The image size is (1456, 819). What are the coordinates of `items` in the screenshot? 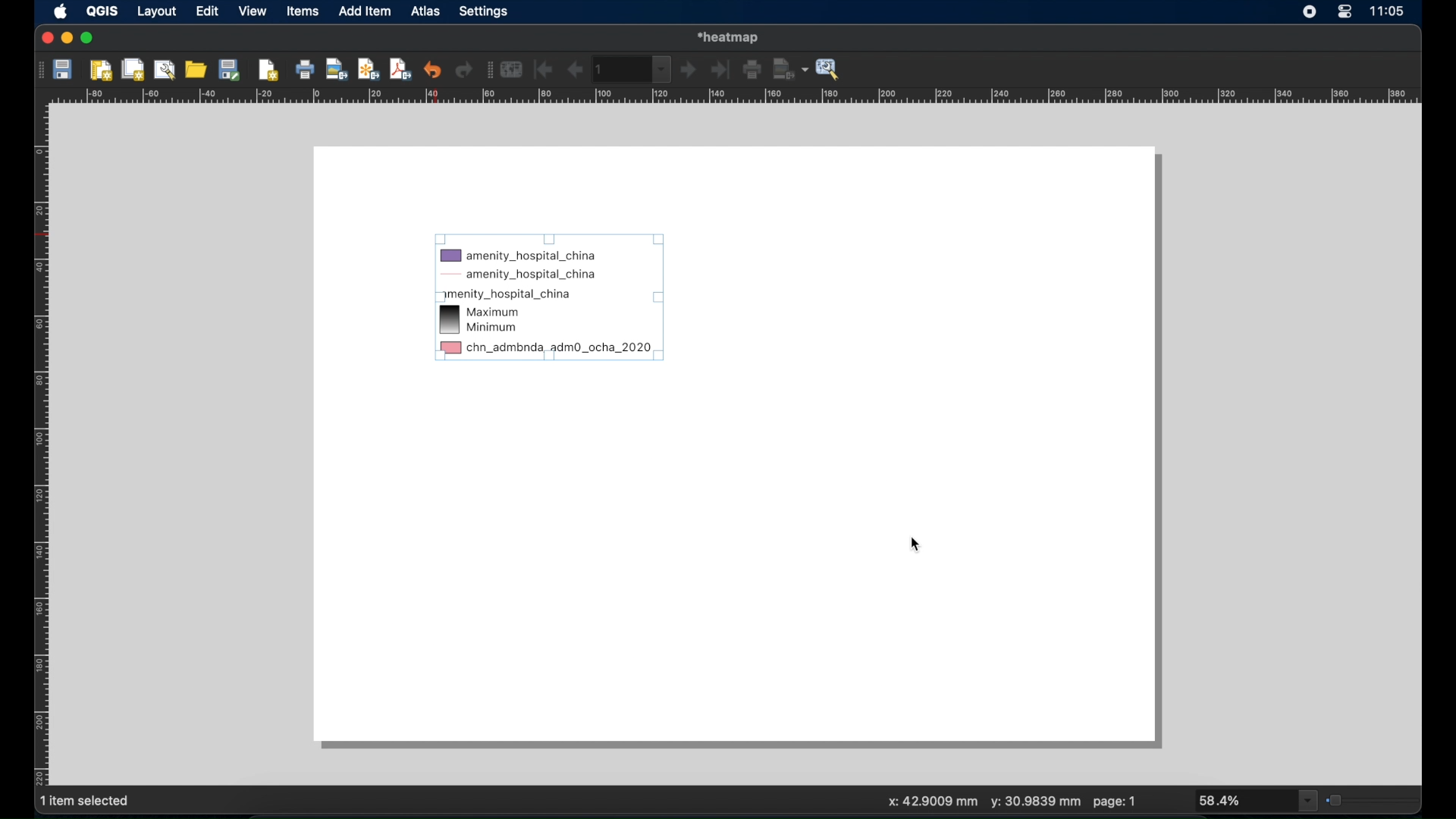 It's located at (303, 13).